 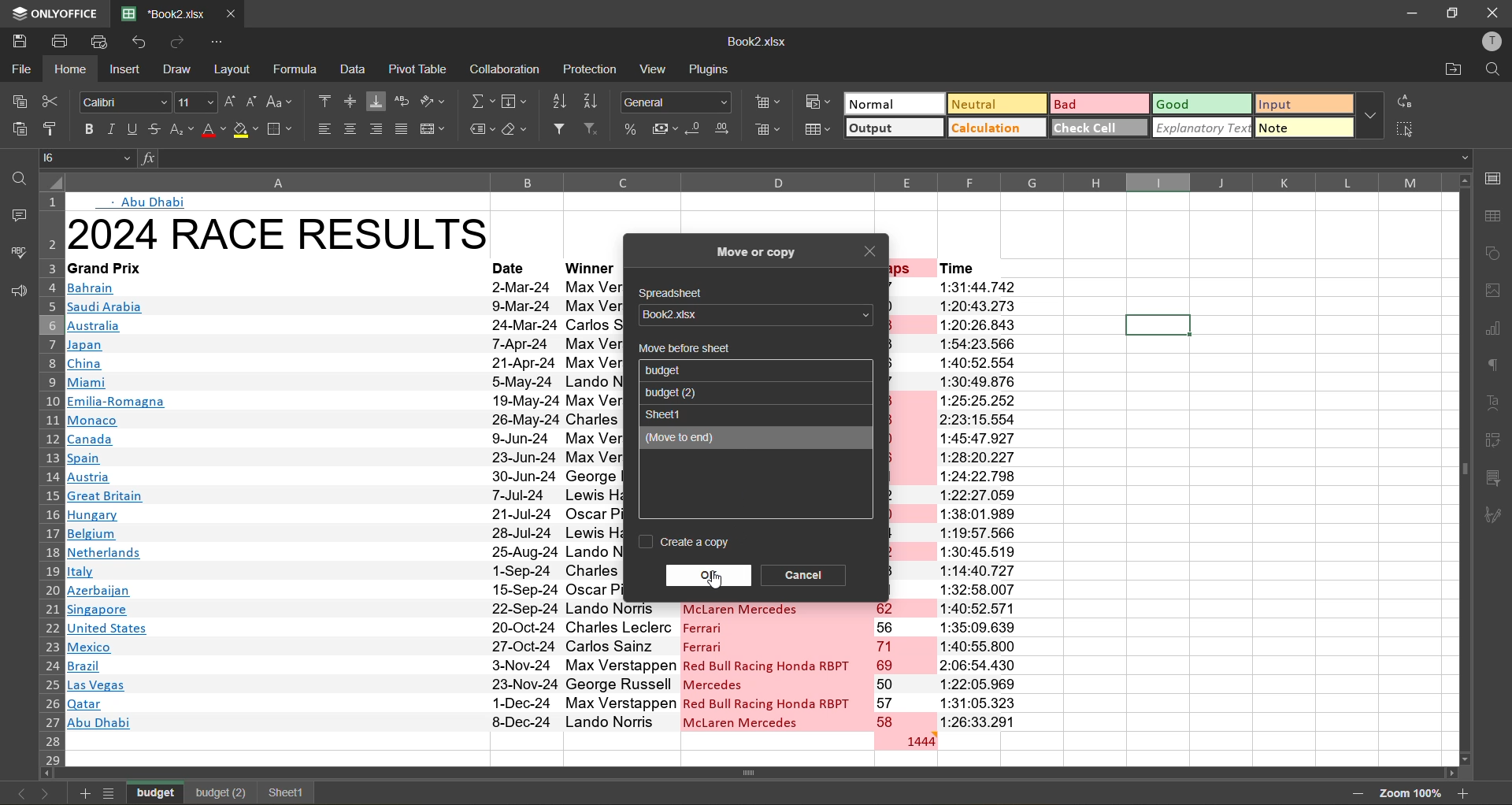 What do you see at coordinates (53, 128) in the screenshot?
I see `copy style` at bounding box center [53, 128].